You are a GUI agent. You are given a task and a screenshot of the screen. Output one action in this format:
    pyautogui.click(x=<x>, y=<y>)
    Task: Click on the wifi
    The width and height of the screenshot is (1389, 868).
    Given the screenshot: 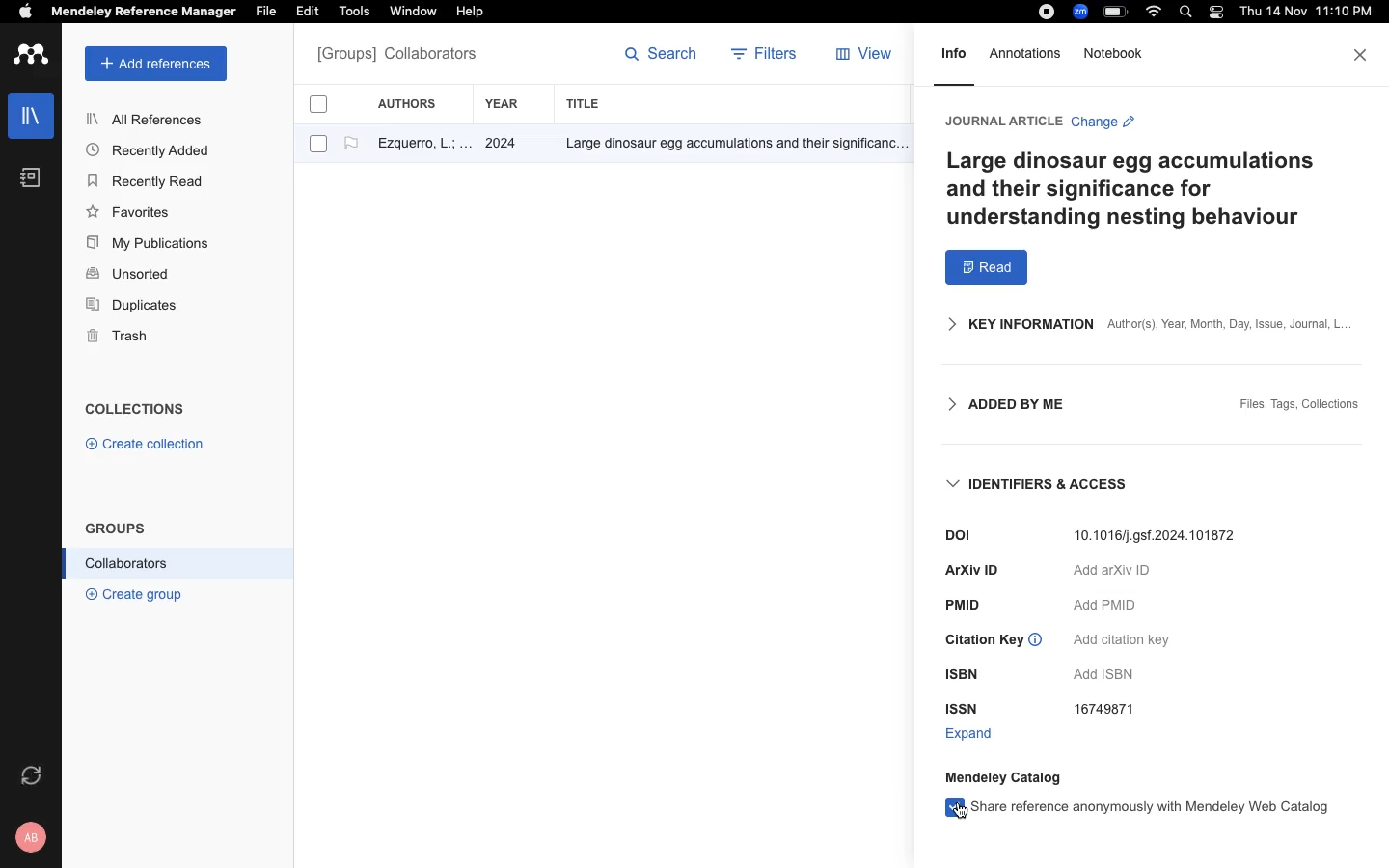 What is the action you would take?
    pyautogui.click(x=1157, y=12)
    